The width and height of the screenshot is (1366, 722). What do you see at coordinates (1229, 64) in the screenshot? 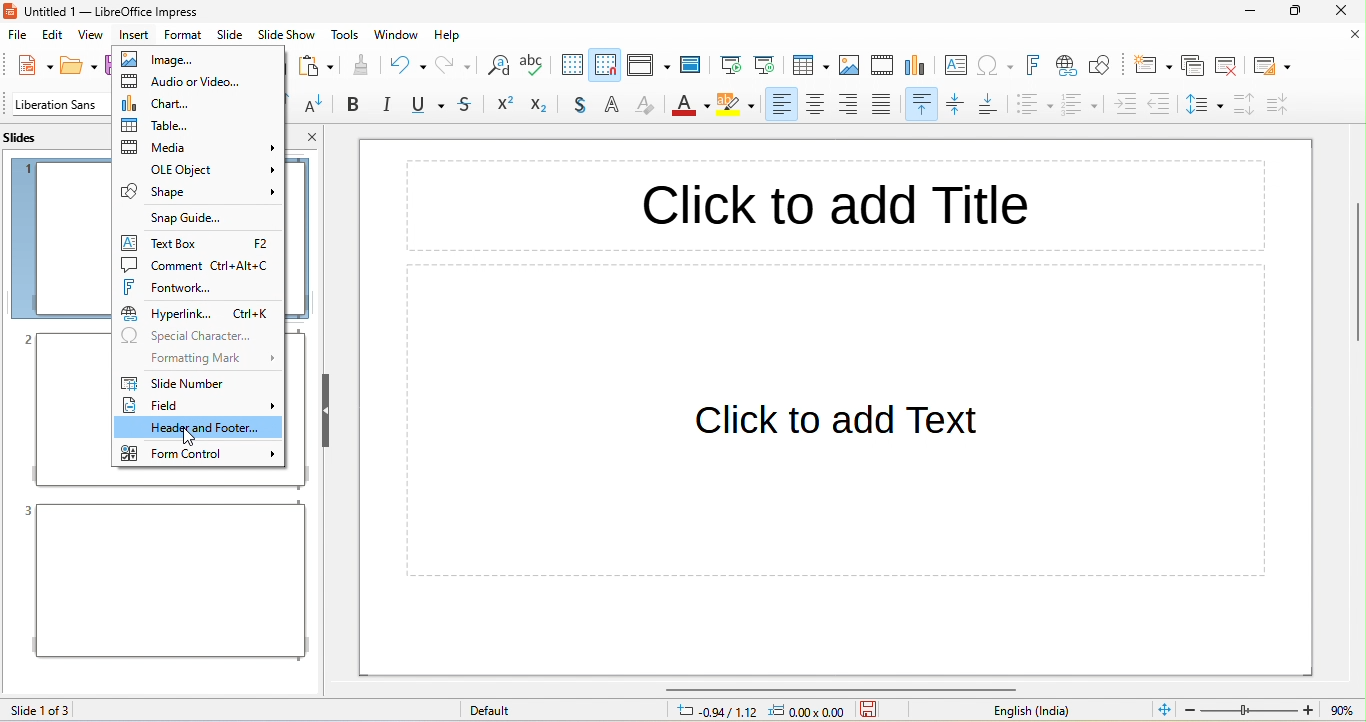
I see `delete slide` at bounding box center [1229, 64].